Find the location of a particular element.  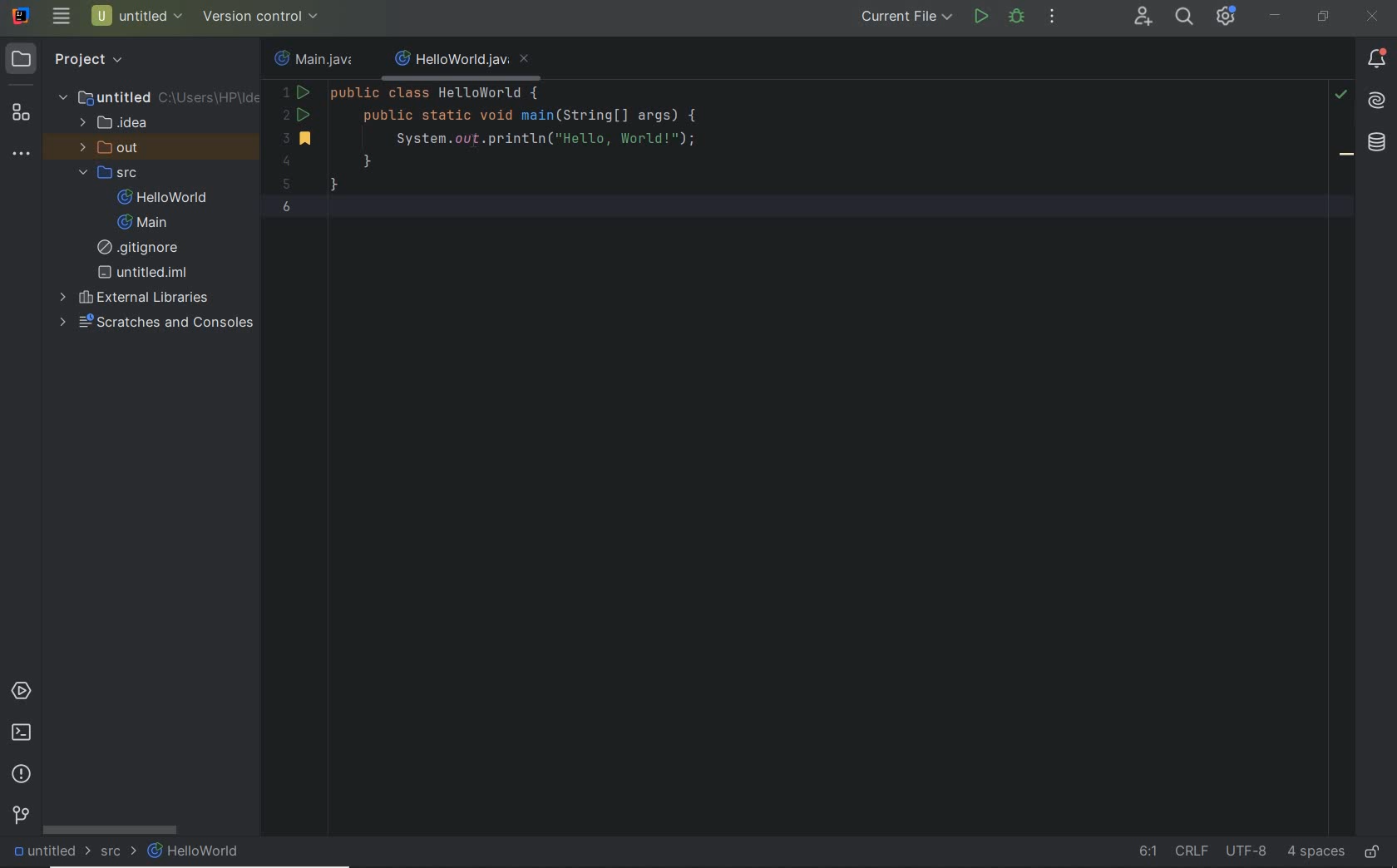

HelloWorld.java(file name) is located at coordinates (462, 60).